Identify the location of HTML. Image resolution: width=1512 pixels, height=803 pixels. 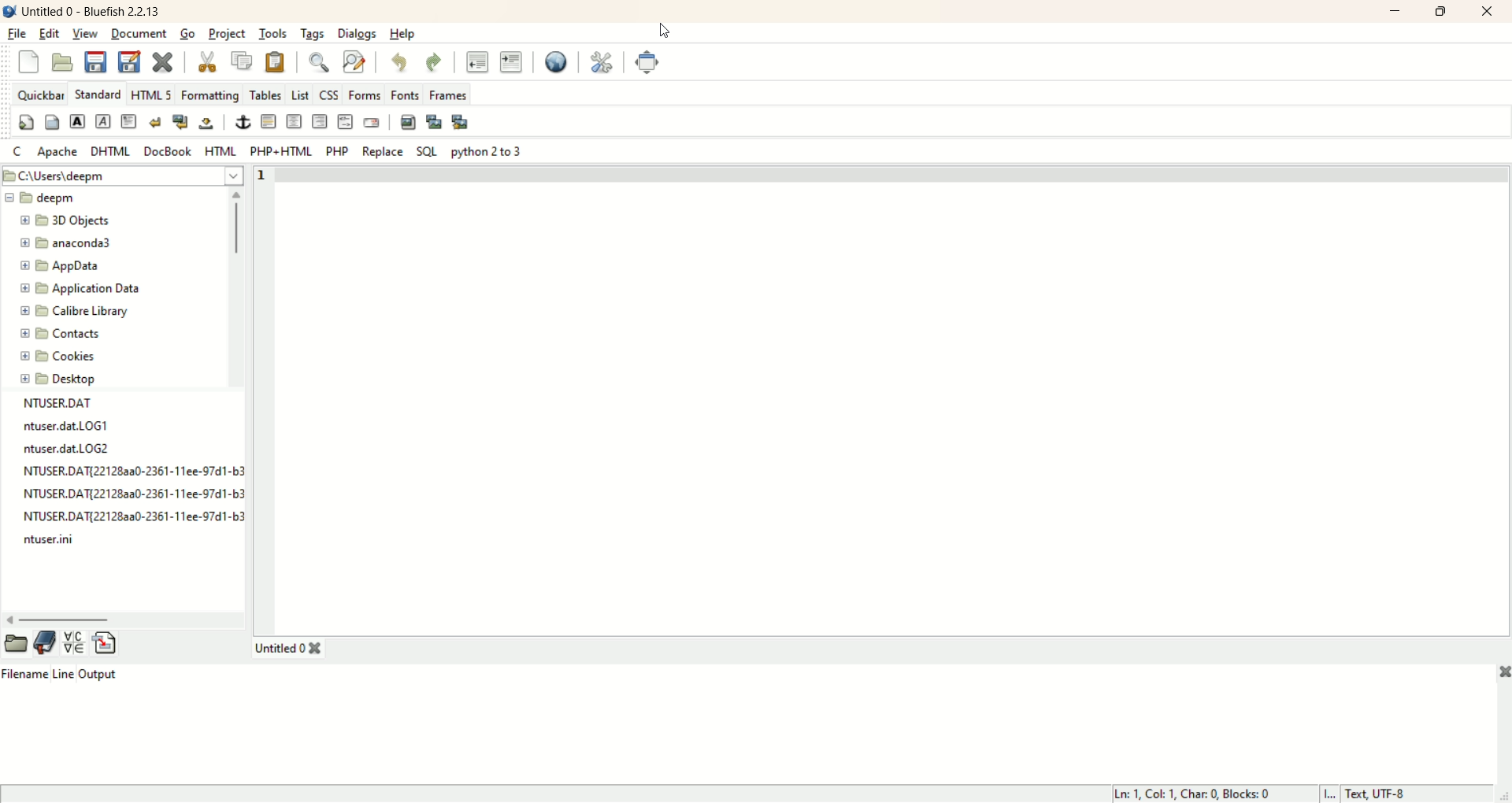
(220, 152).